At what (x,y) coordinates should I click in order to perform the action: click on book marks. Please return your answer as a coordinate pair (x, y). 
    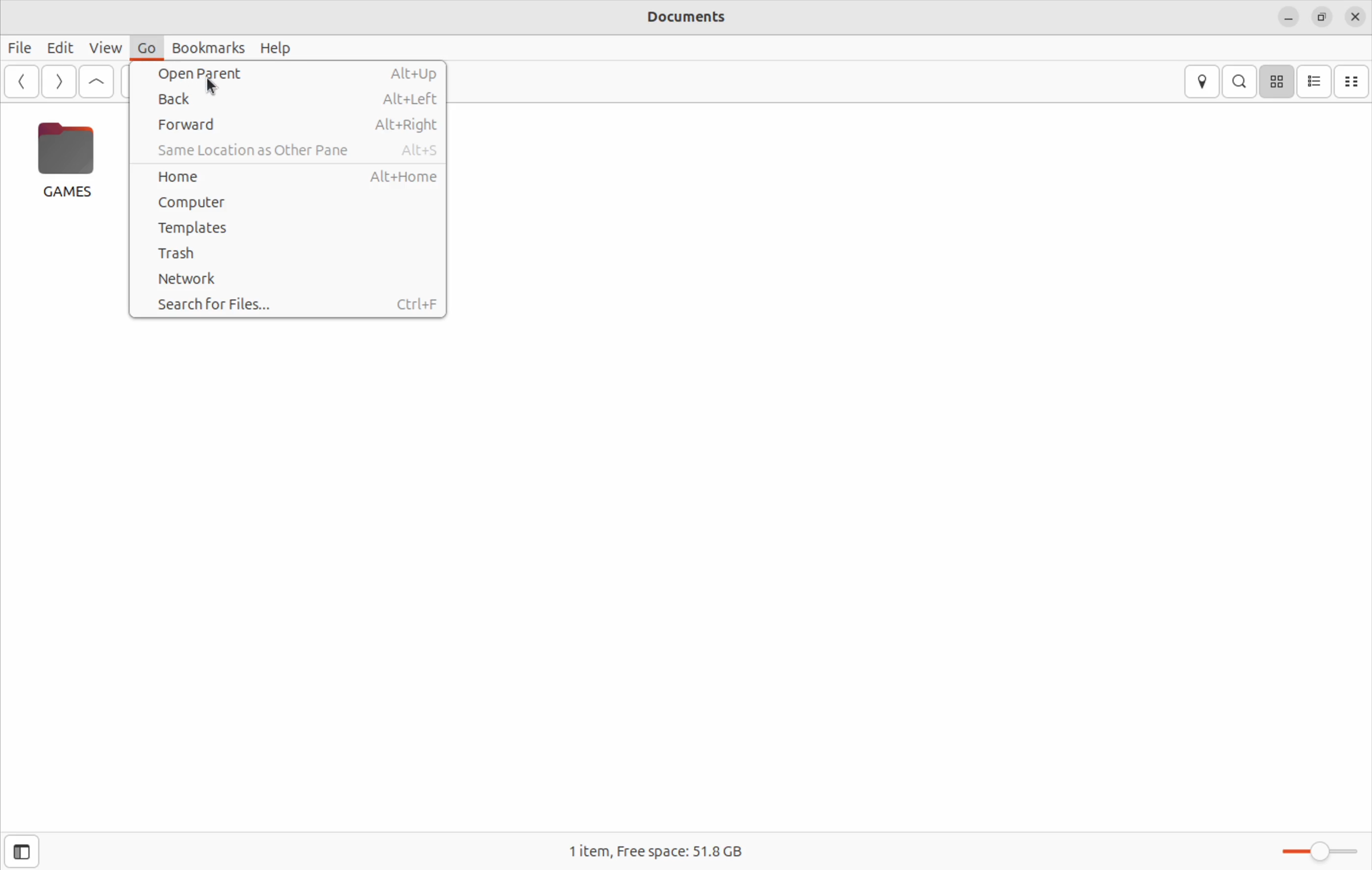
    Looking at the image, I should click on (207, 48).